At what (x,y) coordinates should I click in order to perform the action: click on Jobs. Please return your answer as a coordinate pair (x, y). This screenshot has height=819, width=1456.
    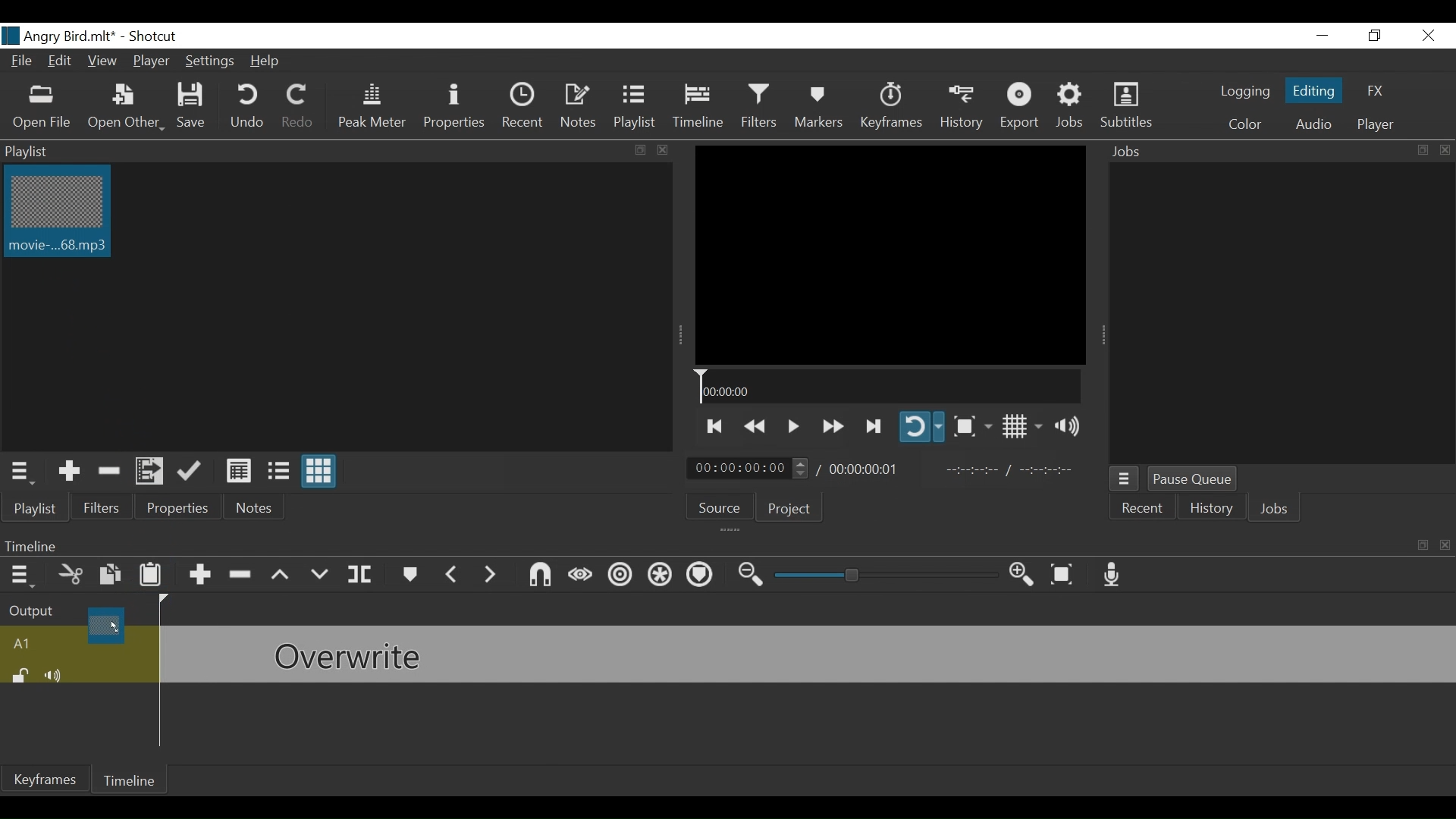
    Looking at the image, I should click on (1072, 108).